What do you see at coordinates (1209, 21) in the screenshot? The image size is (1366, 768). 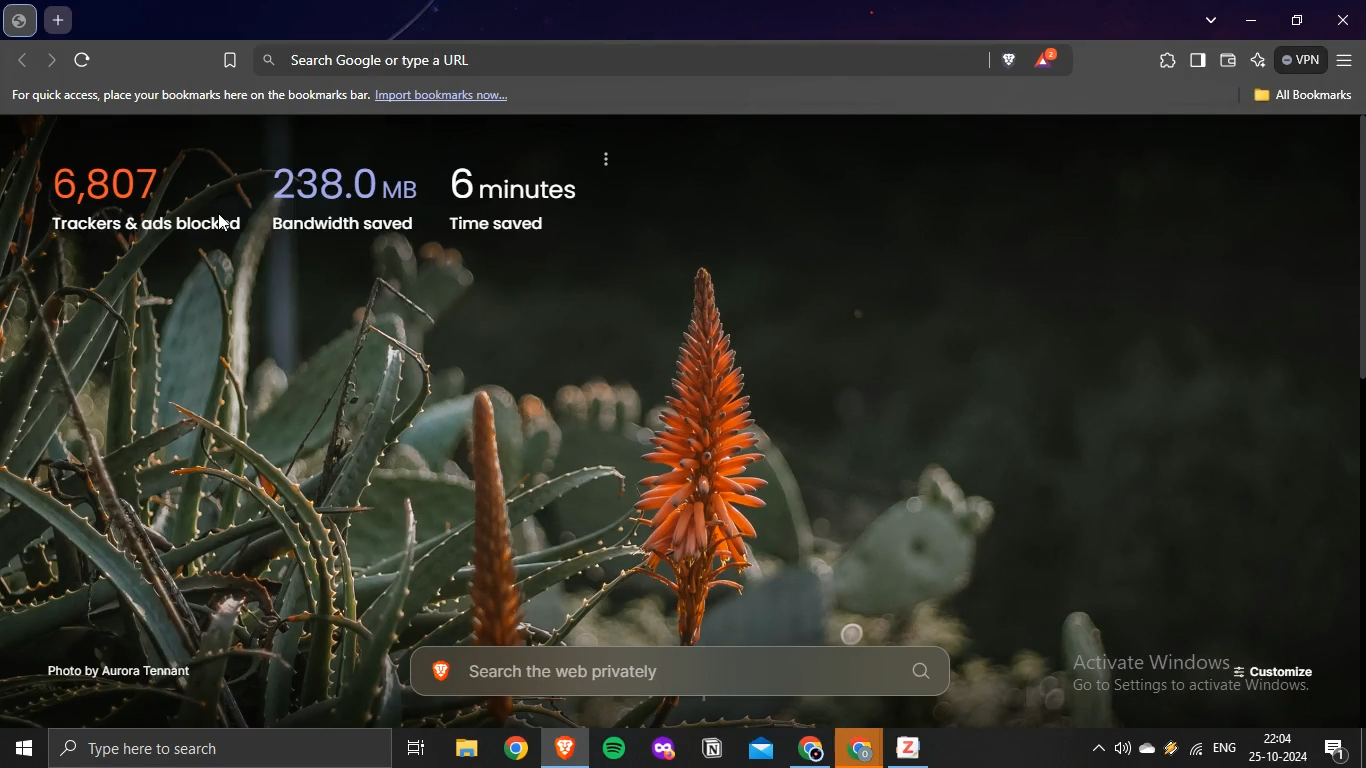 I see `search tabs` at bounding box center [1209, 21].